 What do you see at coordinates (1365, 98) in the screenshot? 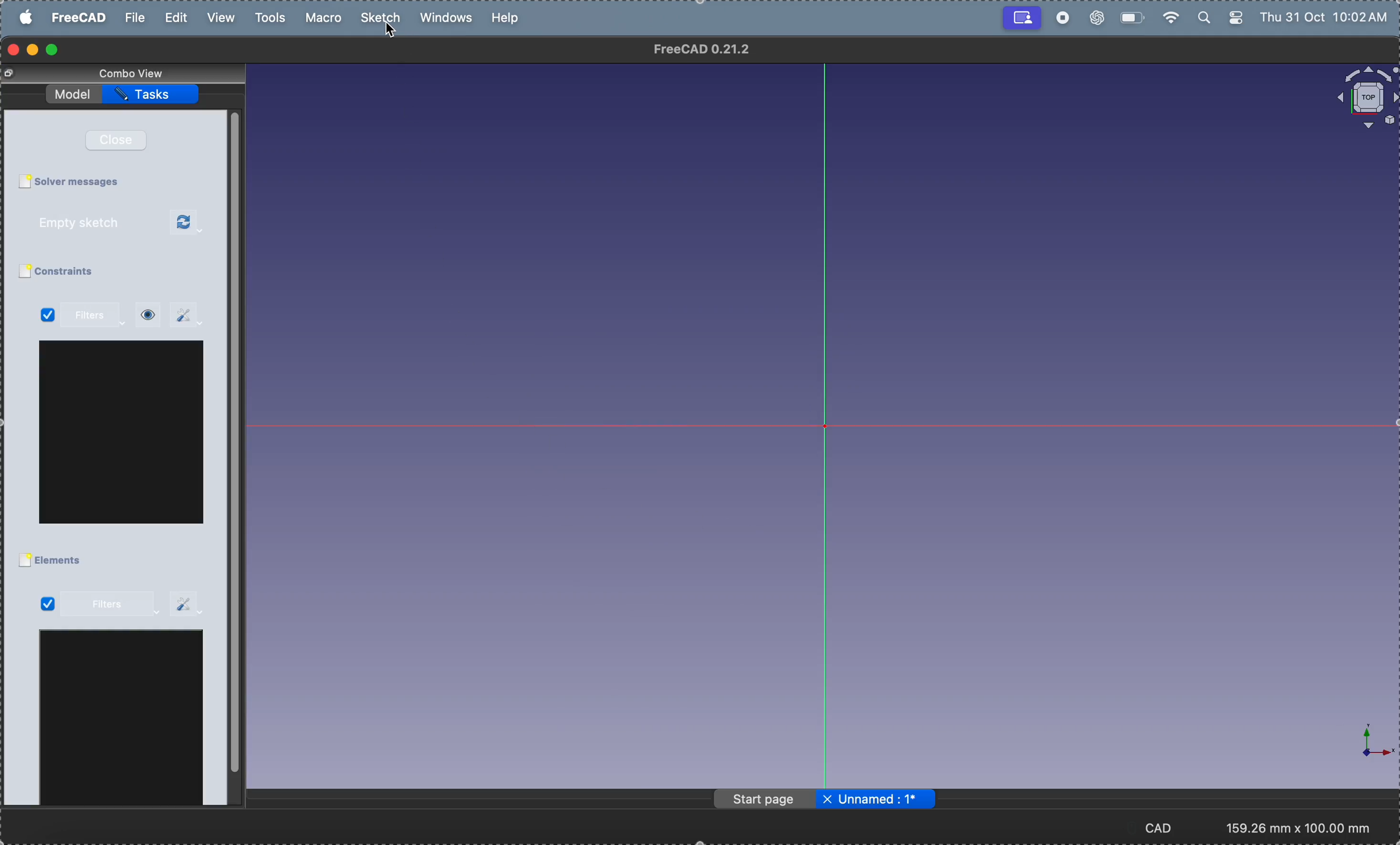
I see `object view` at bounding box center [1365, 98].